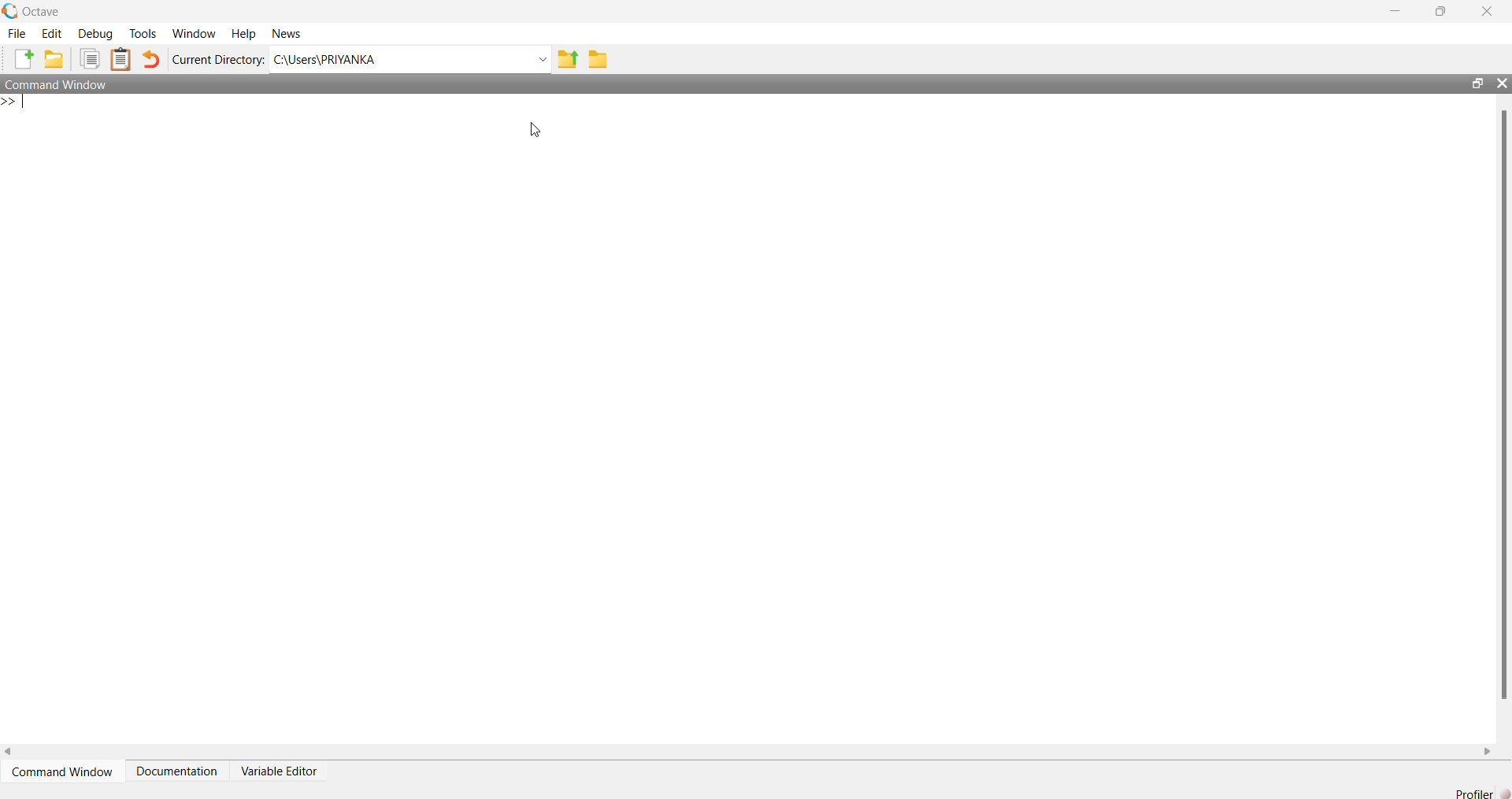  I want to click on , Octave, so click(35, 9).